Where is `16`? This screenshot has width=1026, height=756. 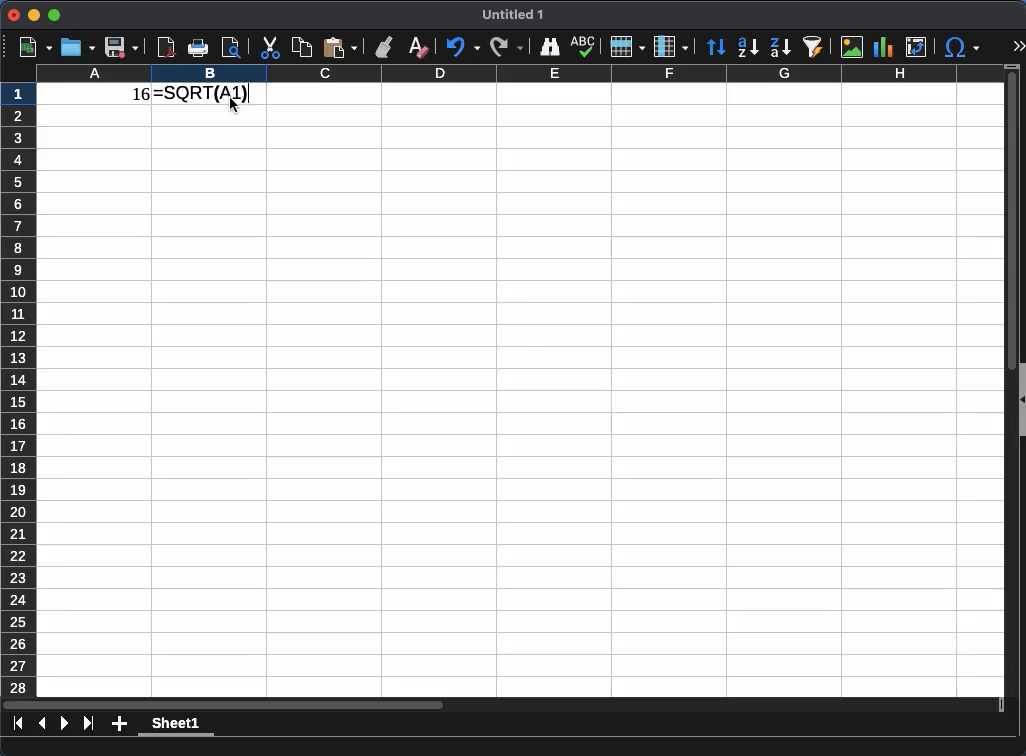 16 is located at coordinates (133, 97).